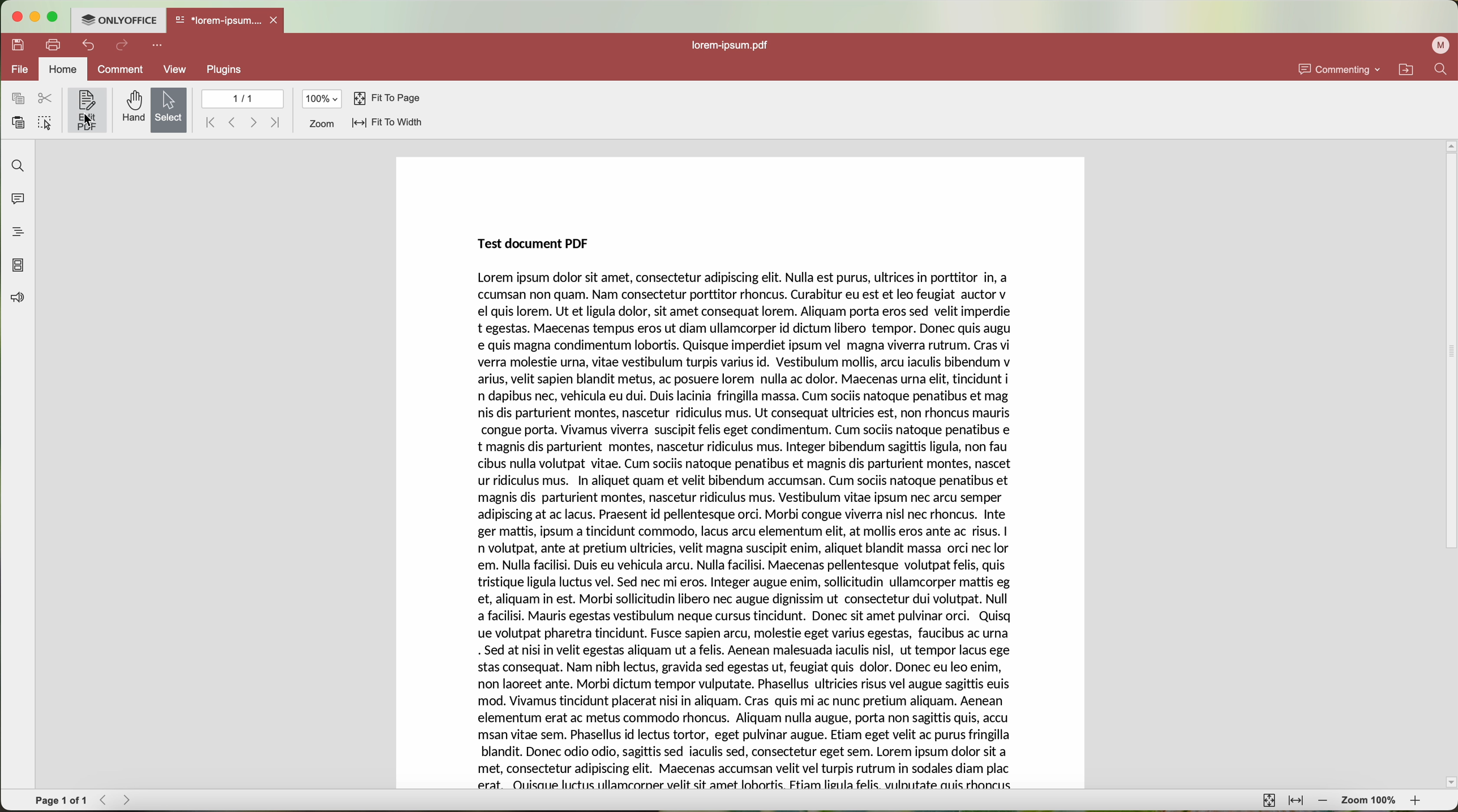 The height and width of the screenshot is (812, 1458). What do you see at coordinates (1296, 801) in the screenshot?
I see `fit to width` at bounding box center [1296, 801].